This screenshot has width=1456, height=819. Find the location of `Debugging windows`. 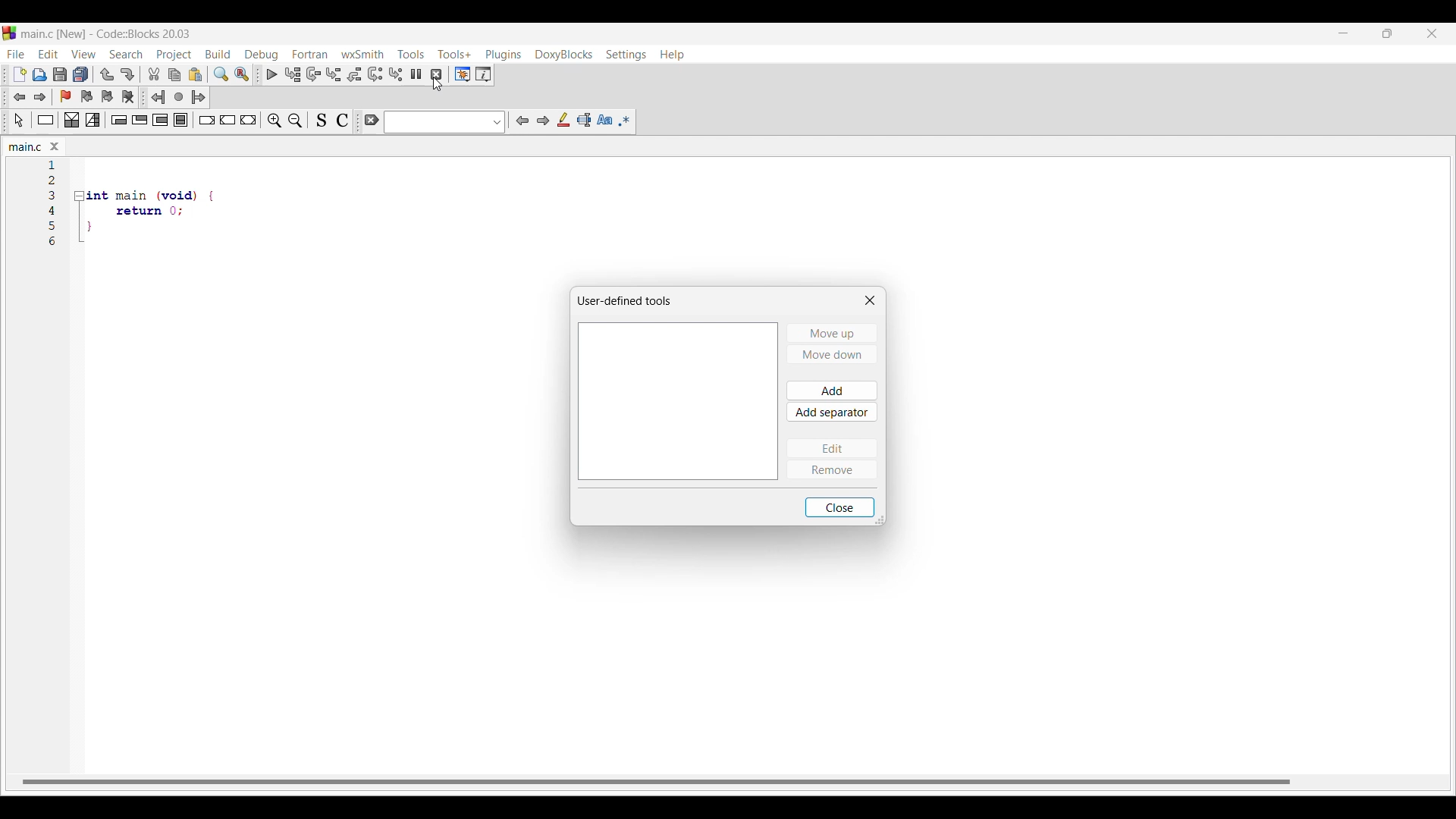

Debugging windows is located at coordinates (463, 74).